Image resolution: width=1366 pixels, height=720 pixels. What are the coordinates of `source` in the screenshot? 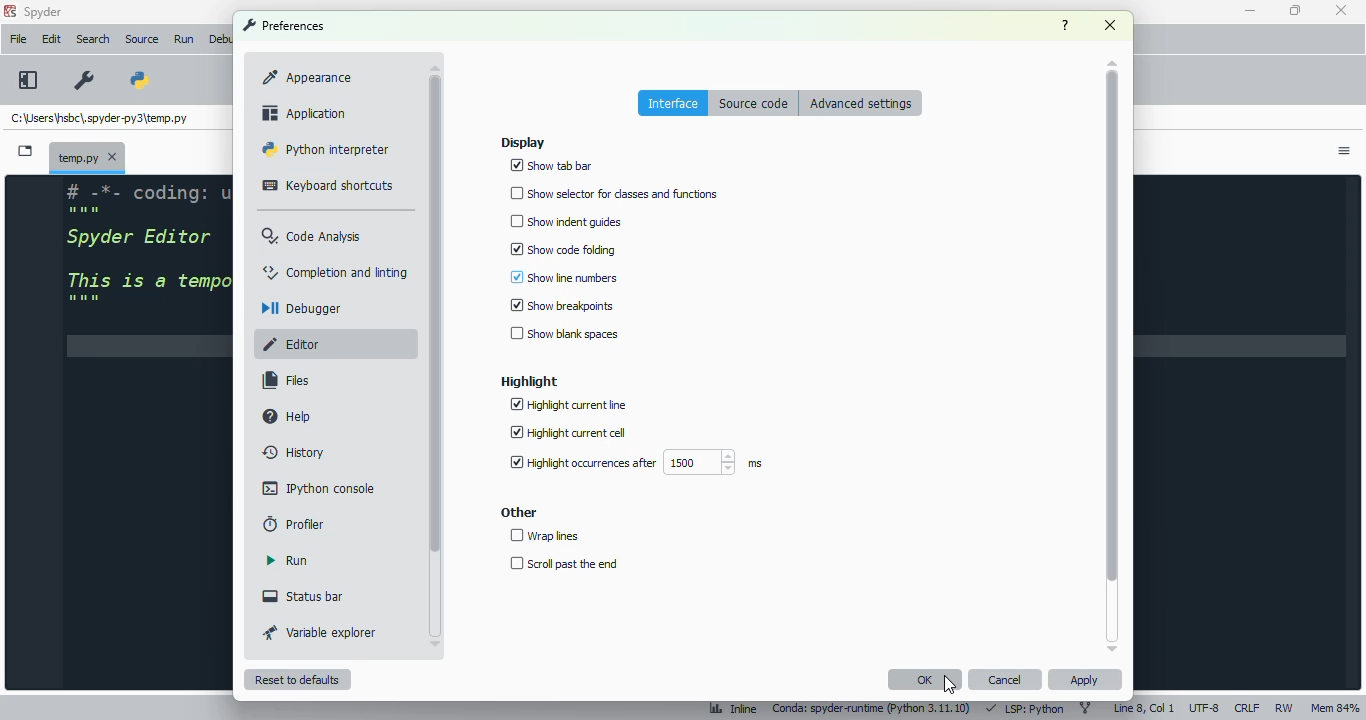 It's located at (142, 39).